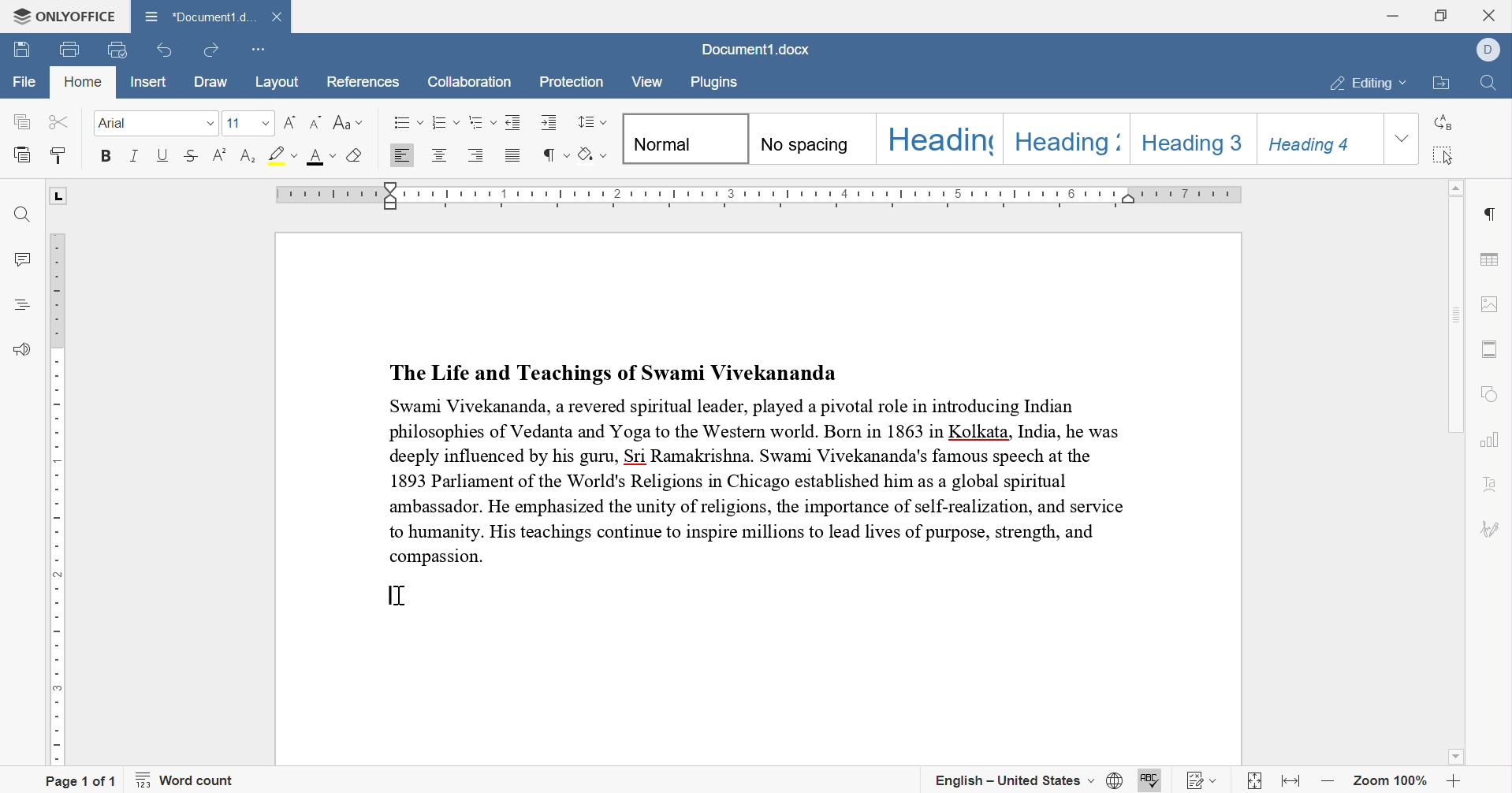 Image resolution: width=1512 pixels, height=793 pixels. Describe the element at coordinates (1319, 140) in the screenshot. I see `heading 4` at that location.